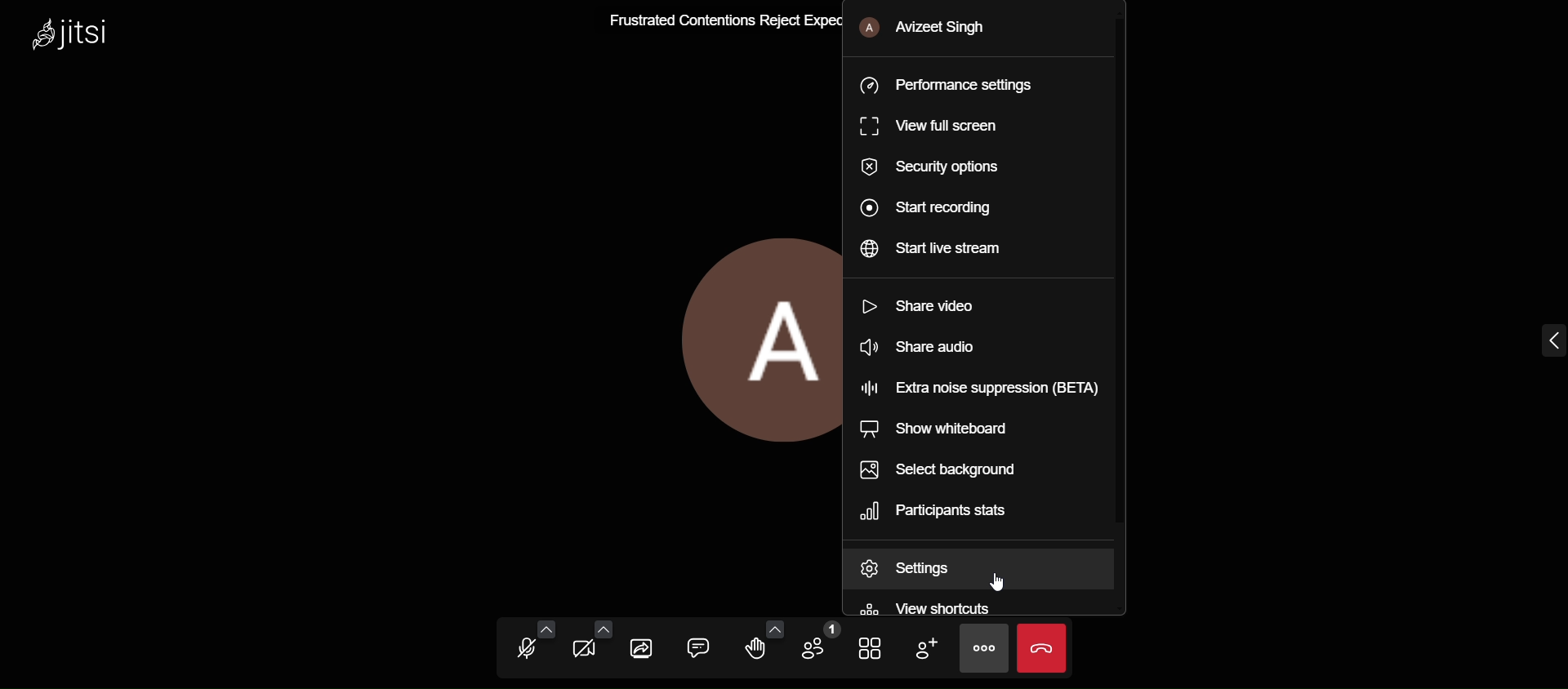  Describe the element at coordinates (603, 620) in the screenshot. I see `video setting` at that location.